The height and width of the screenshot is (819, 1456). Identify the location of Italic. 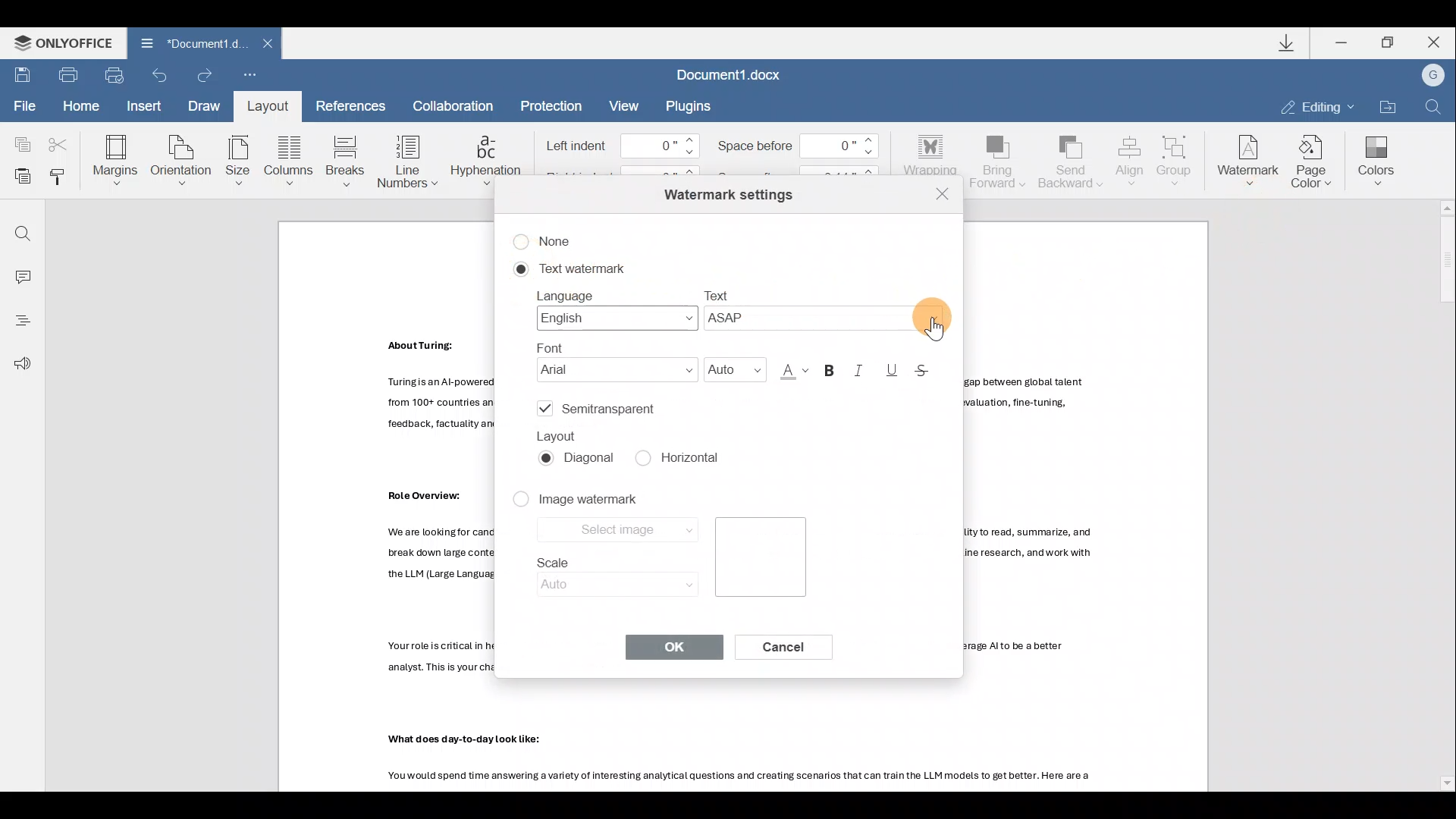
(864, 369).